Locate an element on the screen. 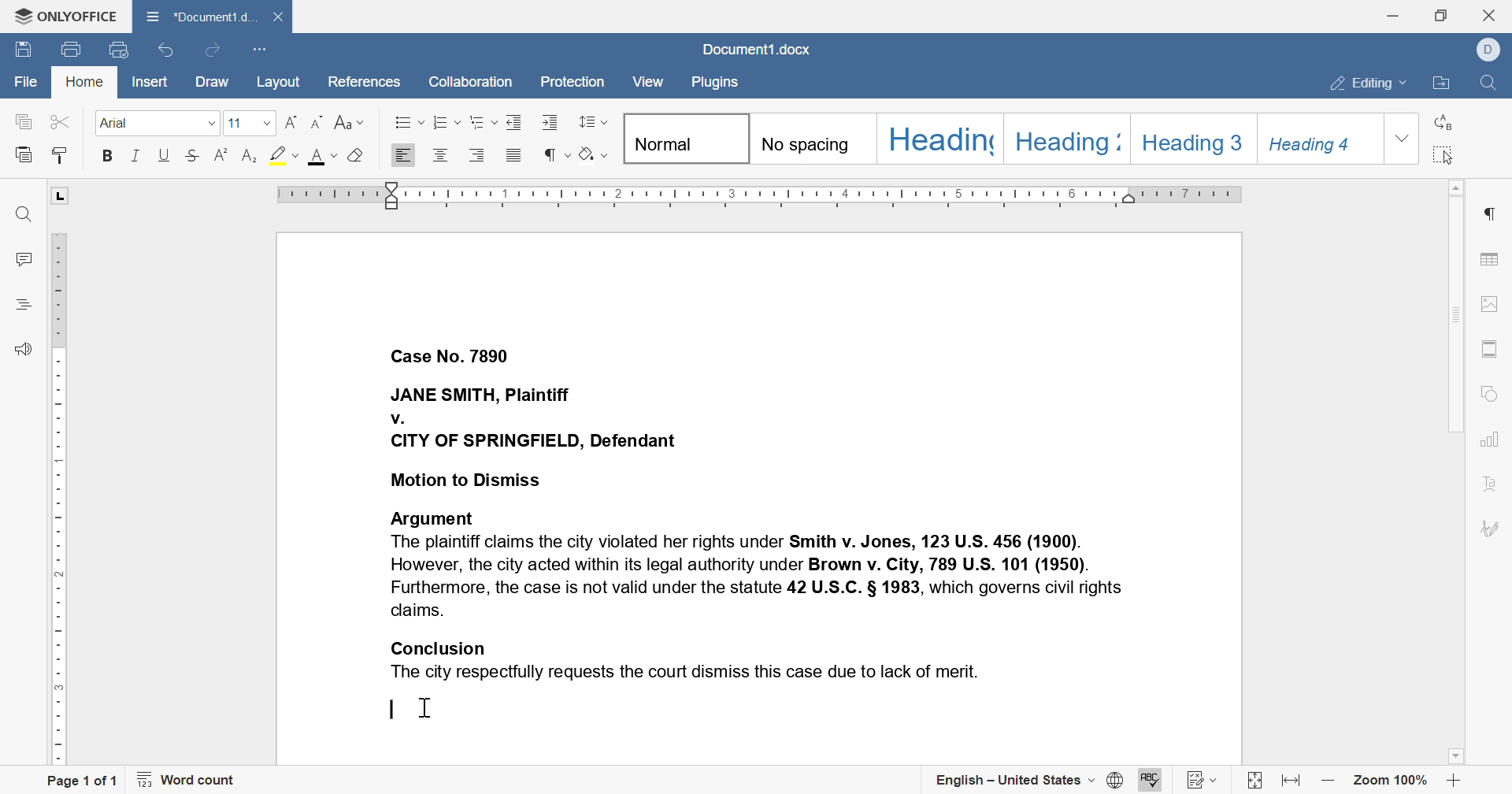 This screenshot has width=1512, height=794. redo is located at coordinates (213, 51).